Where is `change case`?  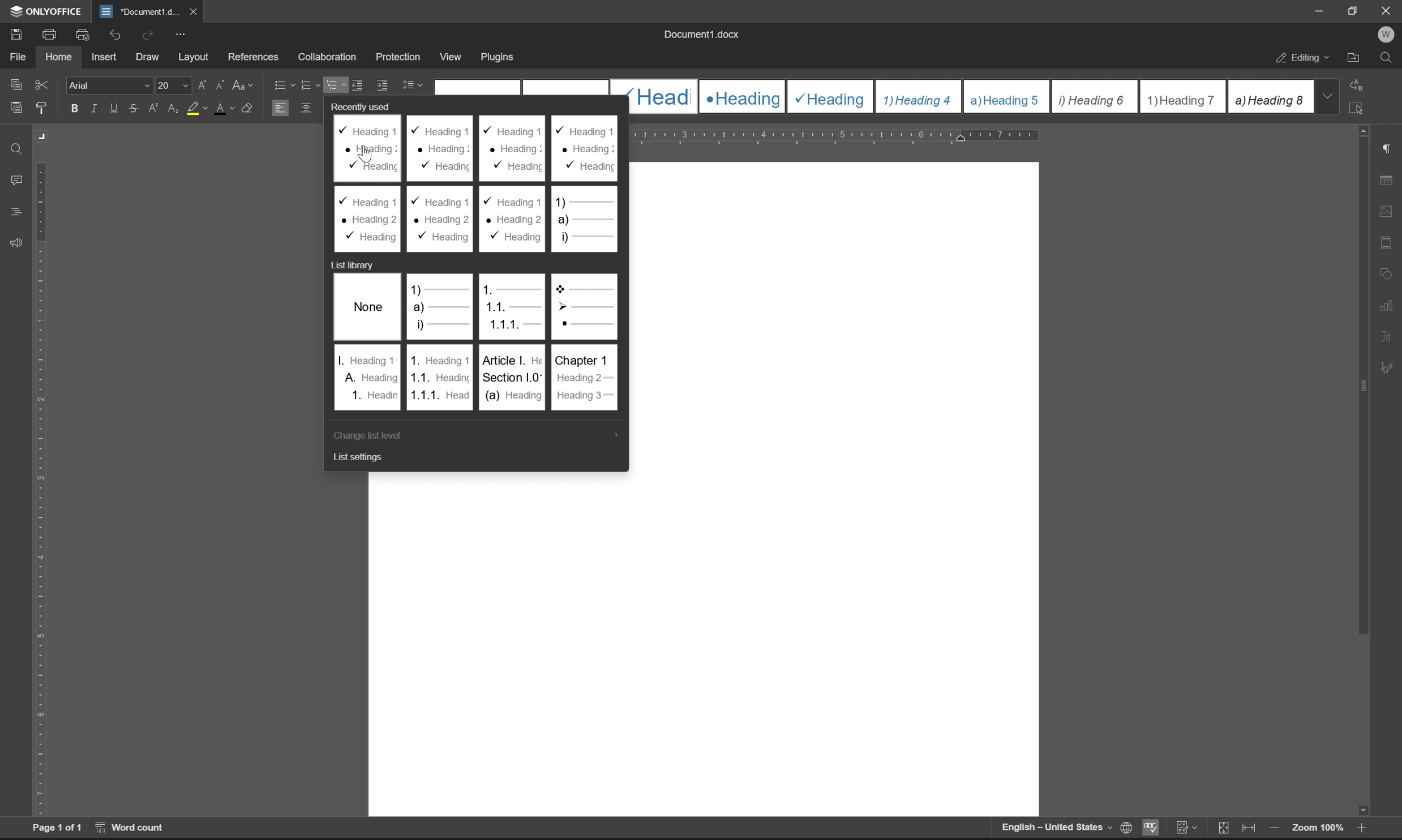 change case is located at coordinates (244, 84).